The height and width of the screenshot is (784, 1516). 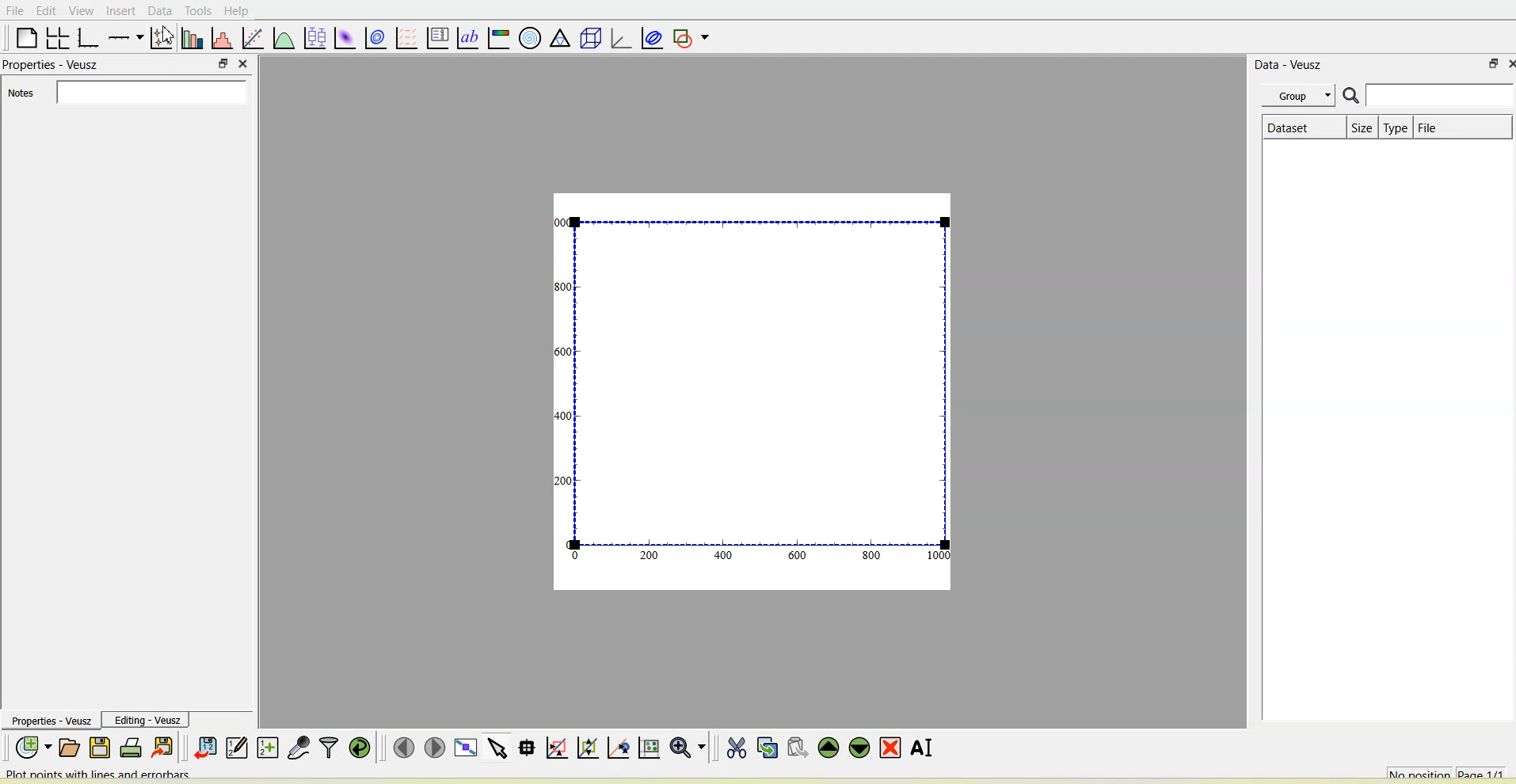 What do you see at coordinates (736, 748) in the screenshot?
I see `Cut the selected widget` at bounding box center [736, 748].